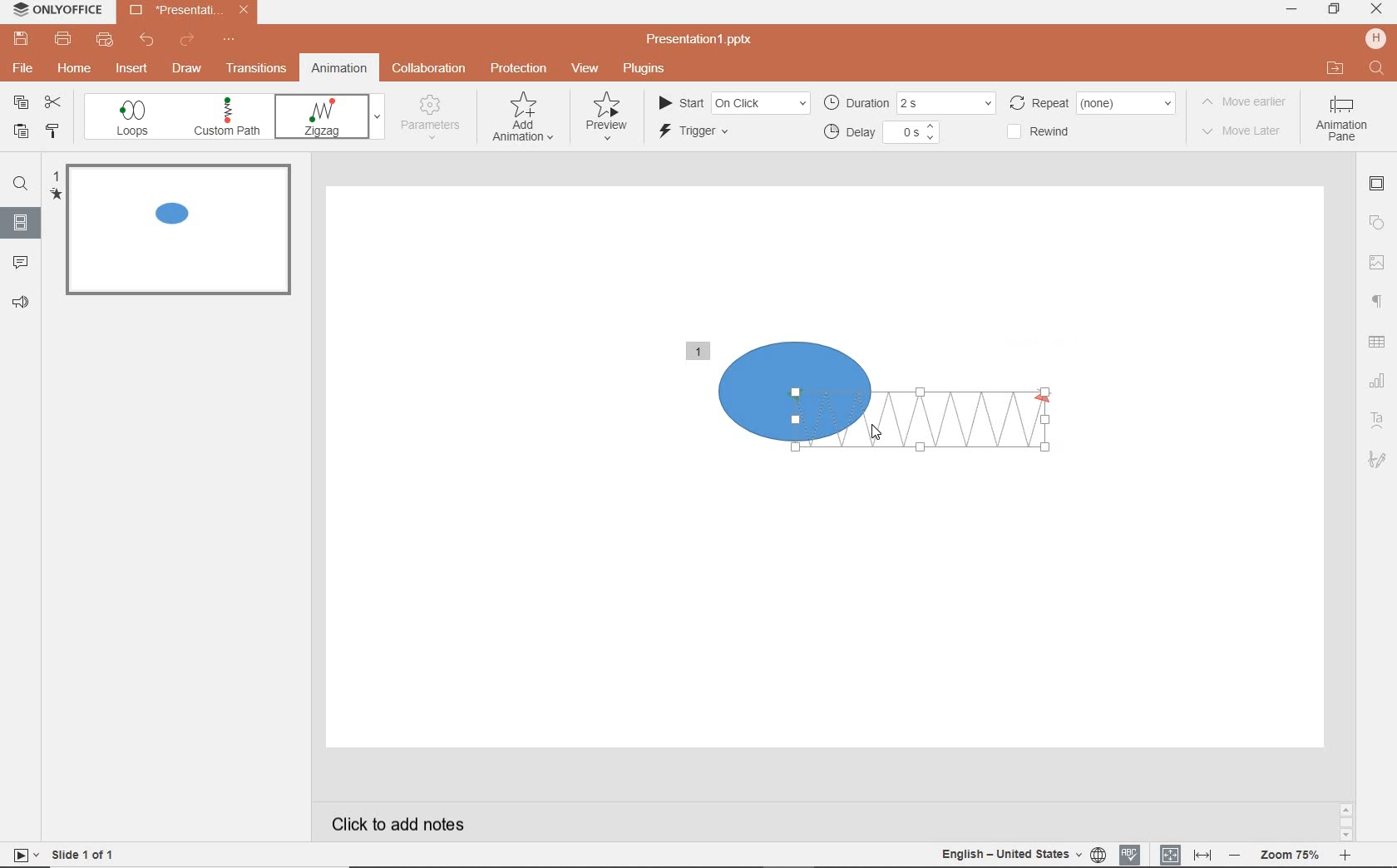 The height and width of the screenshot is (868, 1397). I want to click on PASTE, so click(20, 133).